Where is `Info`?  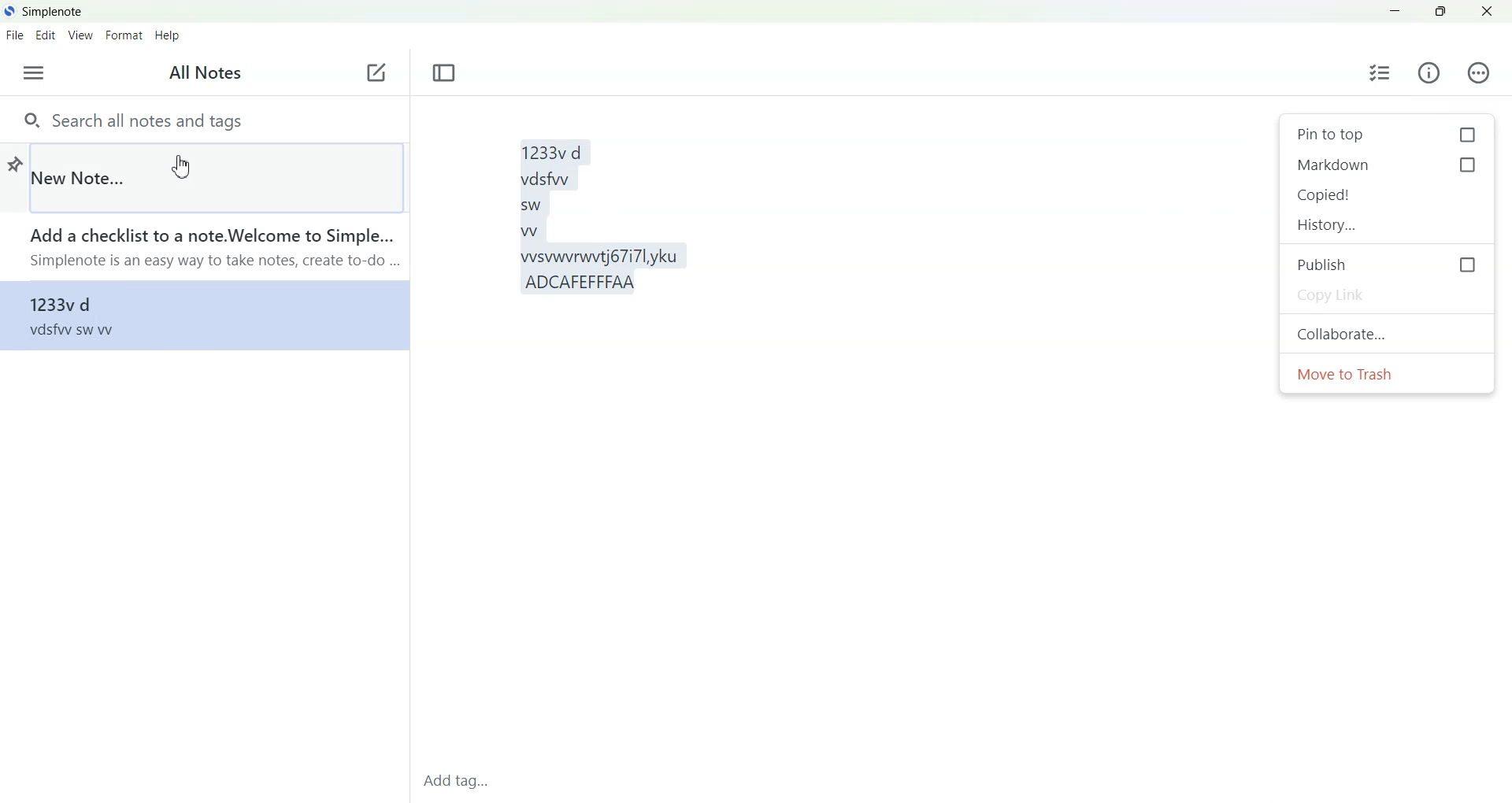 Info is located at coordinates (1429, 72).